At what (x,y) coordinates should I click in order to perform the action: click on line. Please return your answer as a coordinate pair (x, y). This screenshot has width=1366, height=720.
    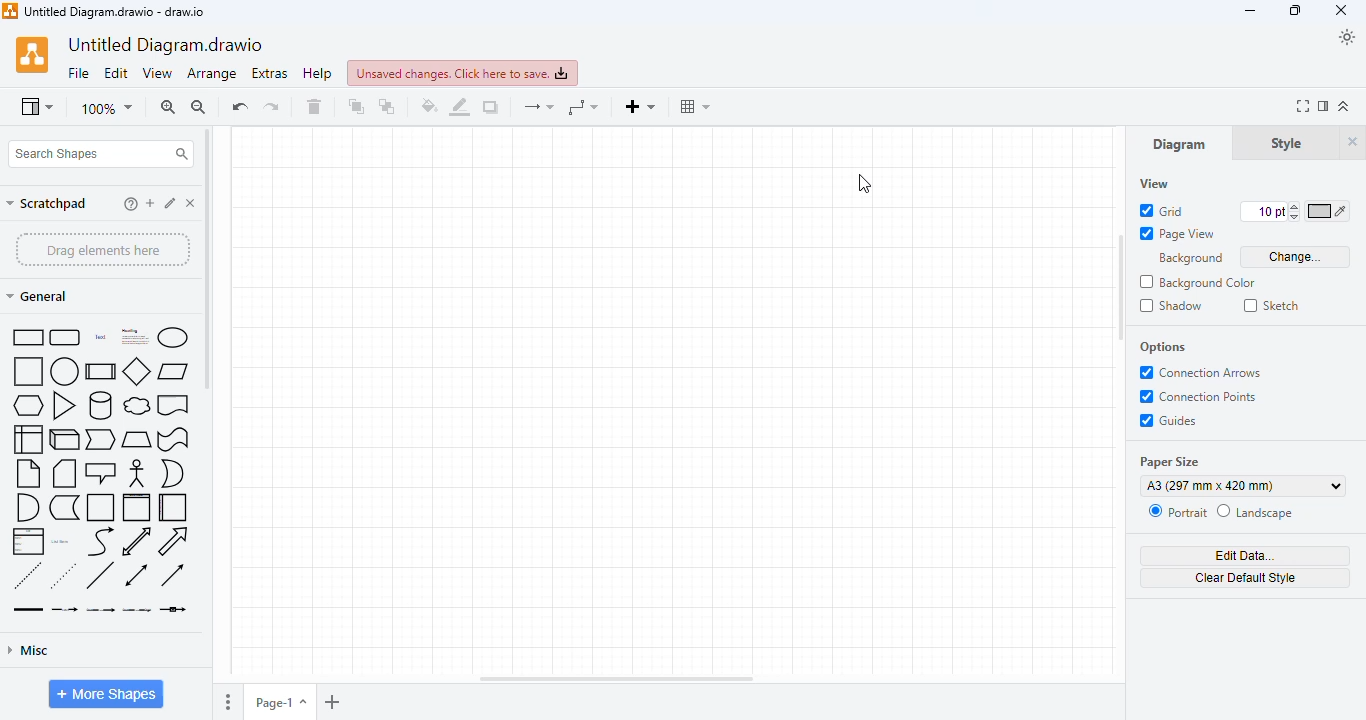
    Looking at the image, I should click on (100, 575).